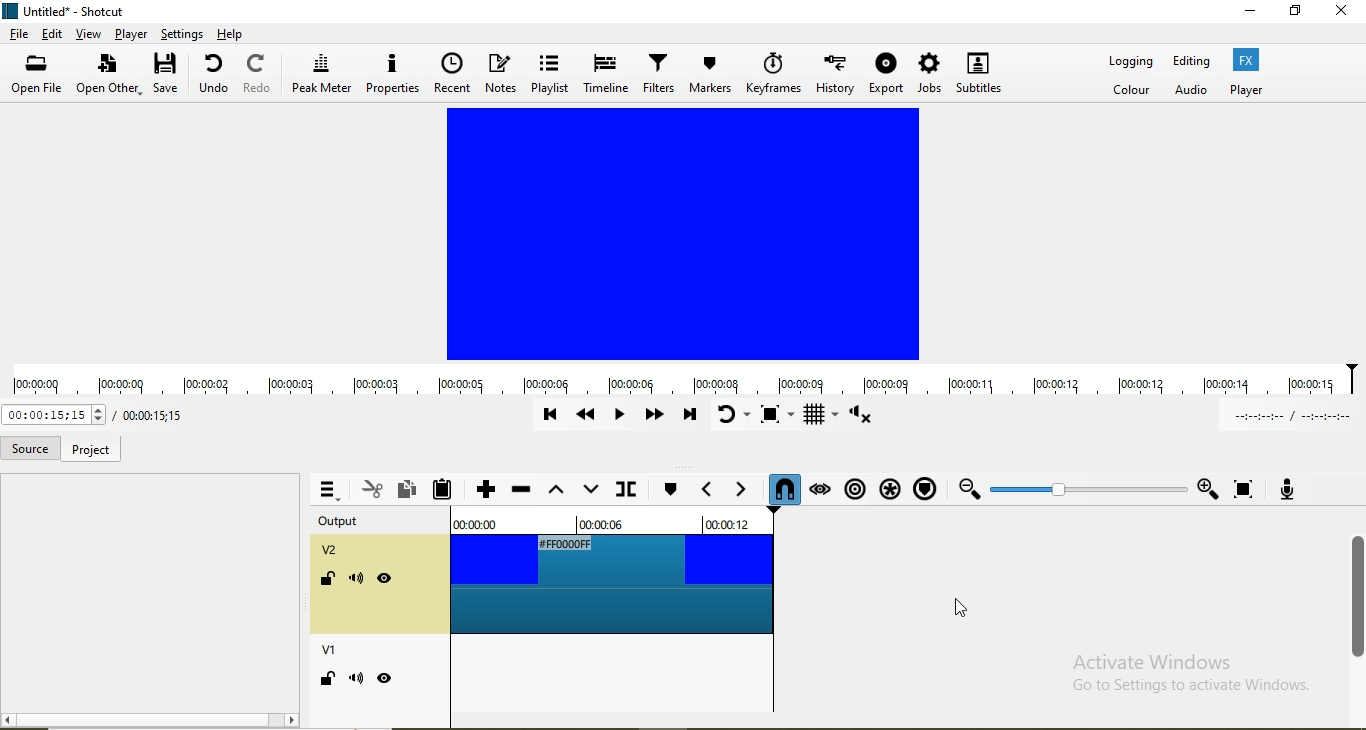  What do you see at coordinates (972, 606) in the screenshot?
I see `cursor` at bounding box center [972, 606].